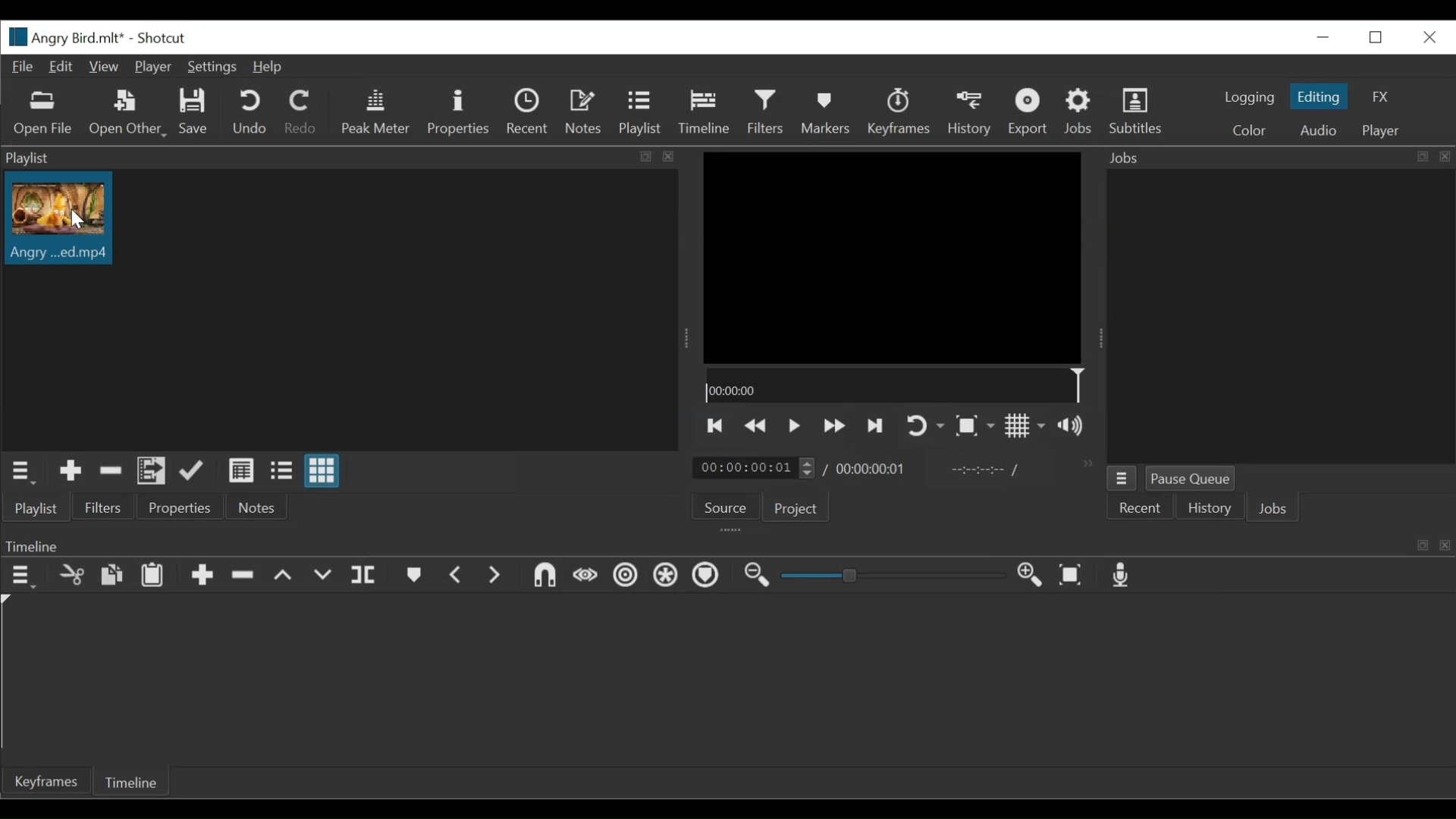 This screenshot has height=819, width=1456. What do you see at coordinates (281, 471) in the screenshot?
I see `View as file` at bounding box center [281, 471].